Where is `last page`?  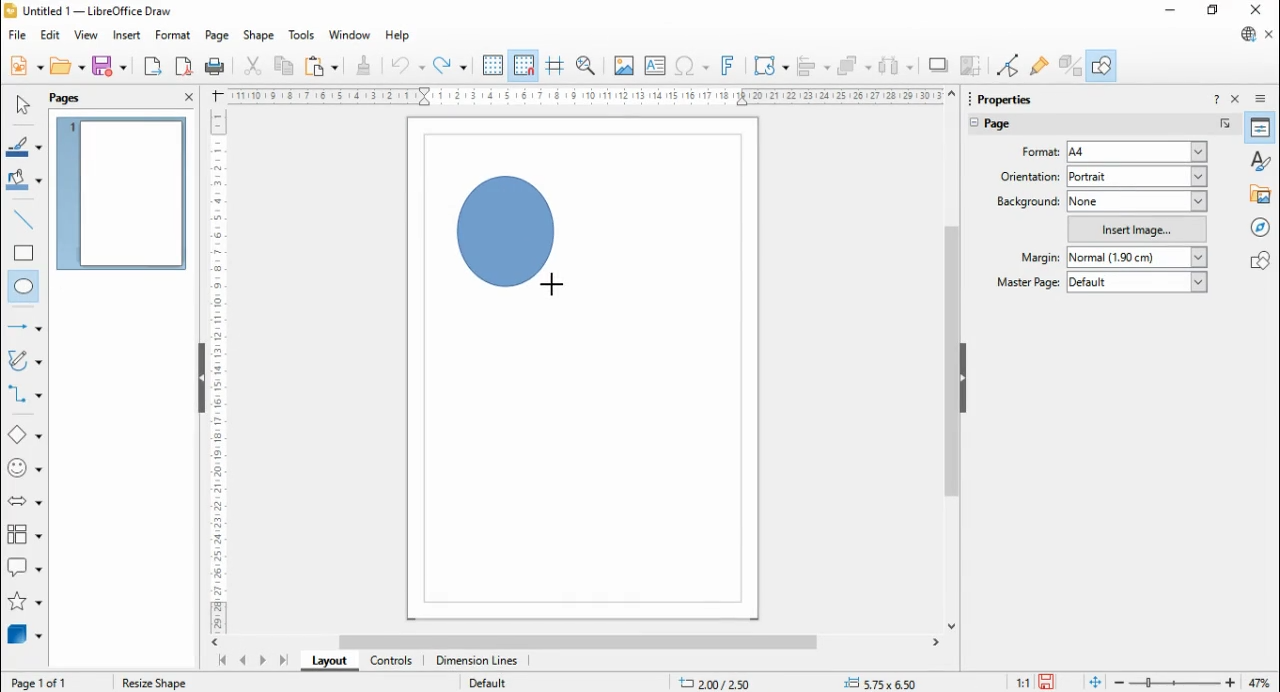
last page is located at coordinates (283, 660).